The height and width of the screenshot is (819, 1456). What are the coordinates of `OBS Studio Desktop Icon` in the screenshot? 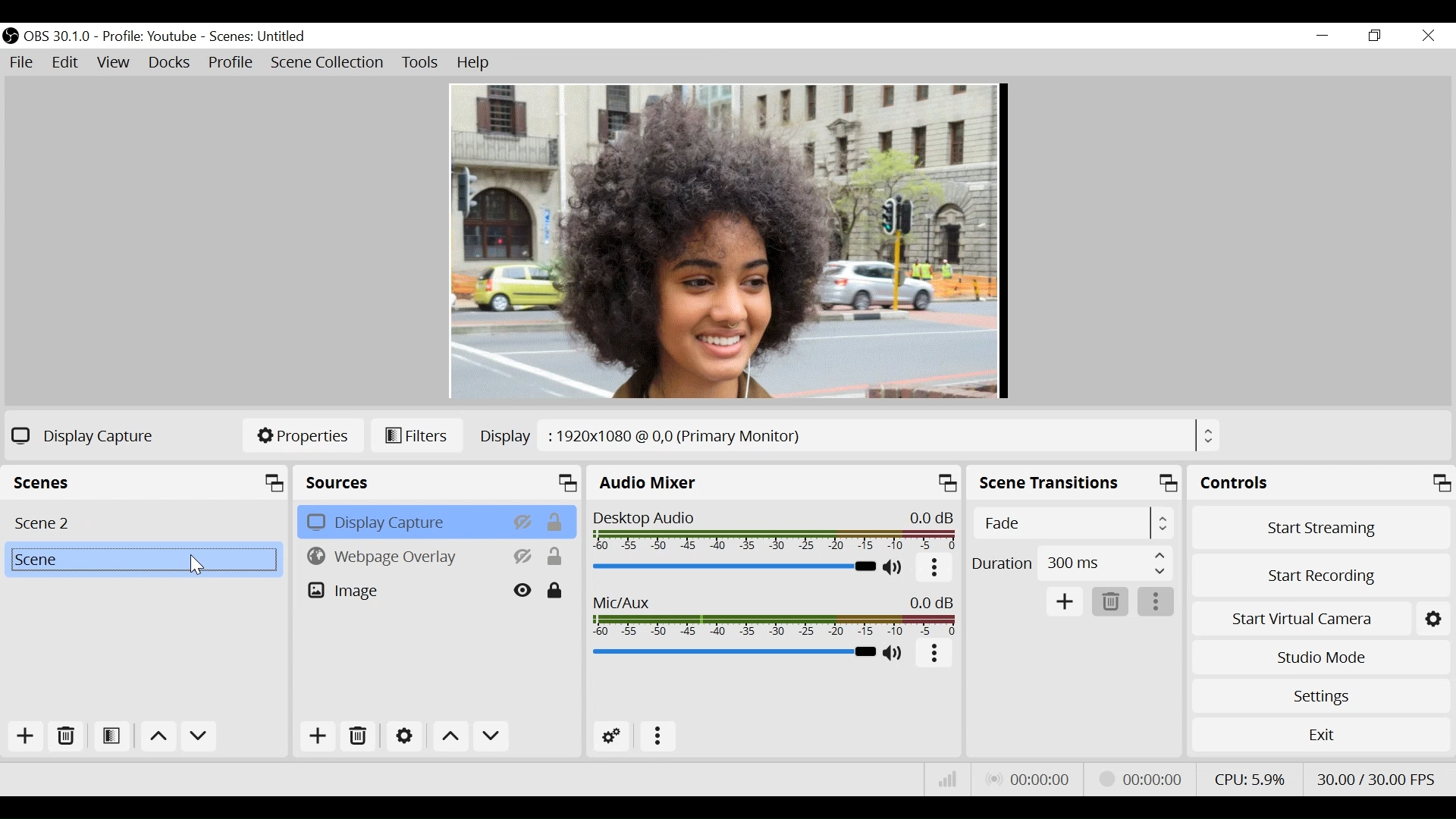 It's located at (11, 37).